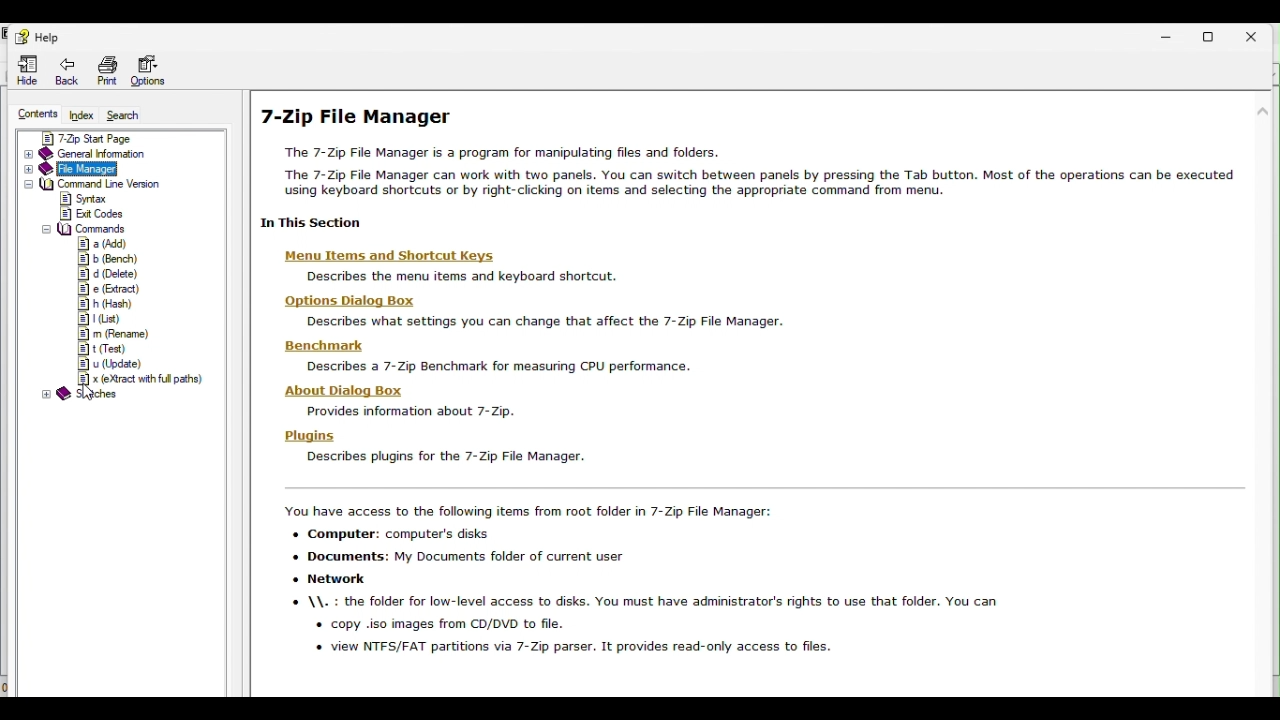 The height and width of the screenshot is (720, 1280). I want to click on t (Test), so click(113, 349).